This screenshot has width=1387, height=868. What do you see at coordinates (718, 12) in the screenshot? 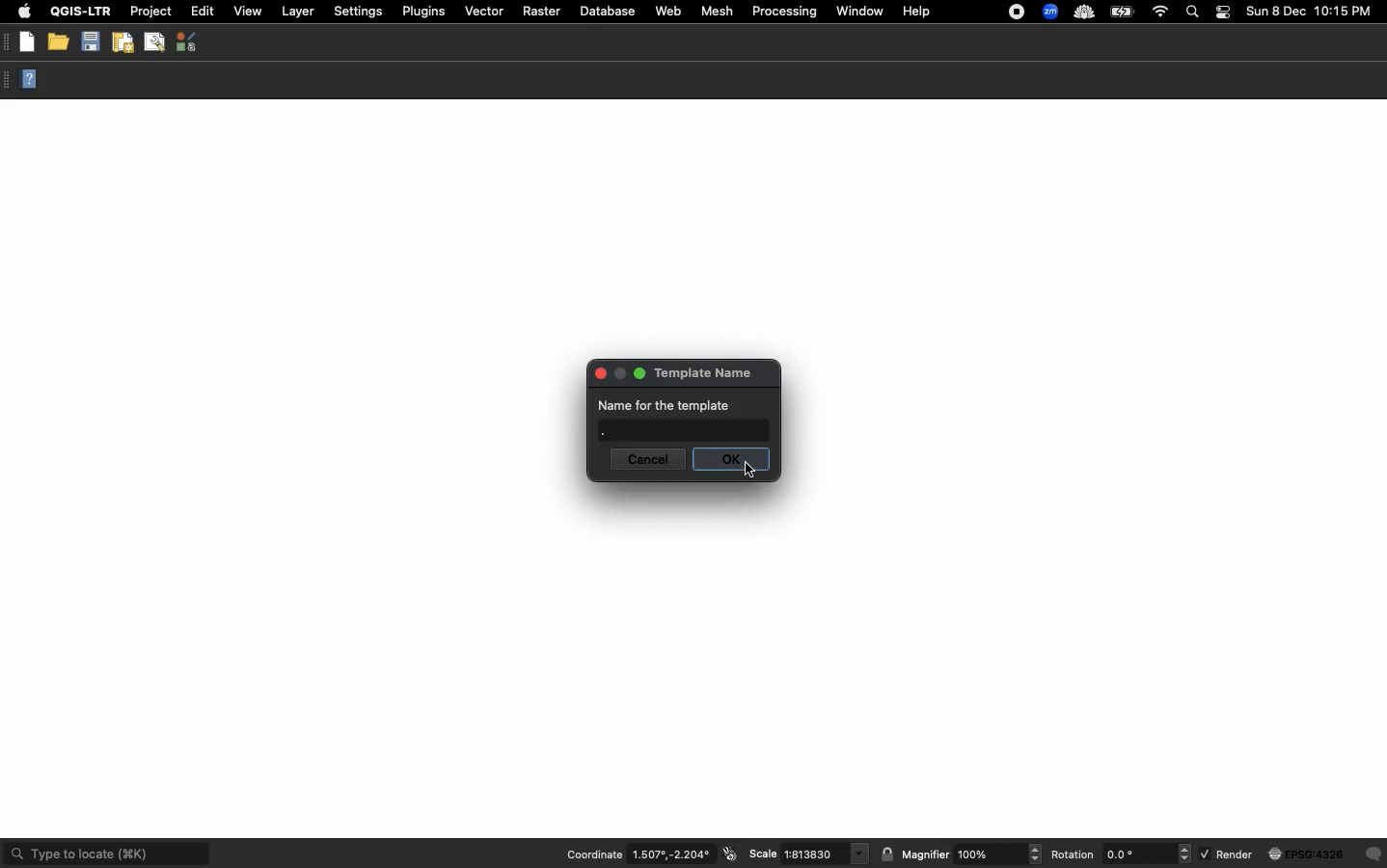
I see `Mesh` at bounding box center [718, 12].